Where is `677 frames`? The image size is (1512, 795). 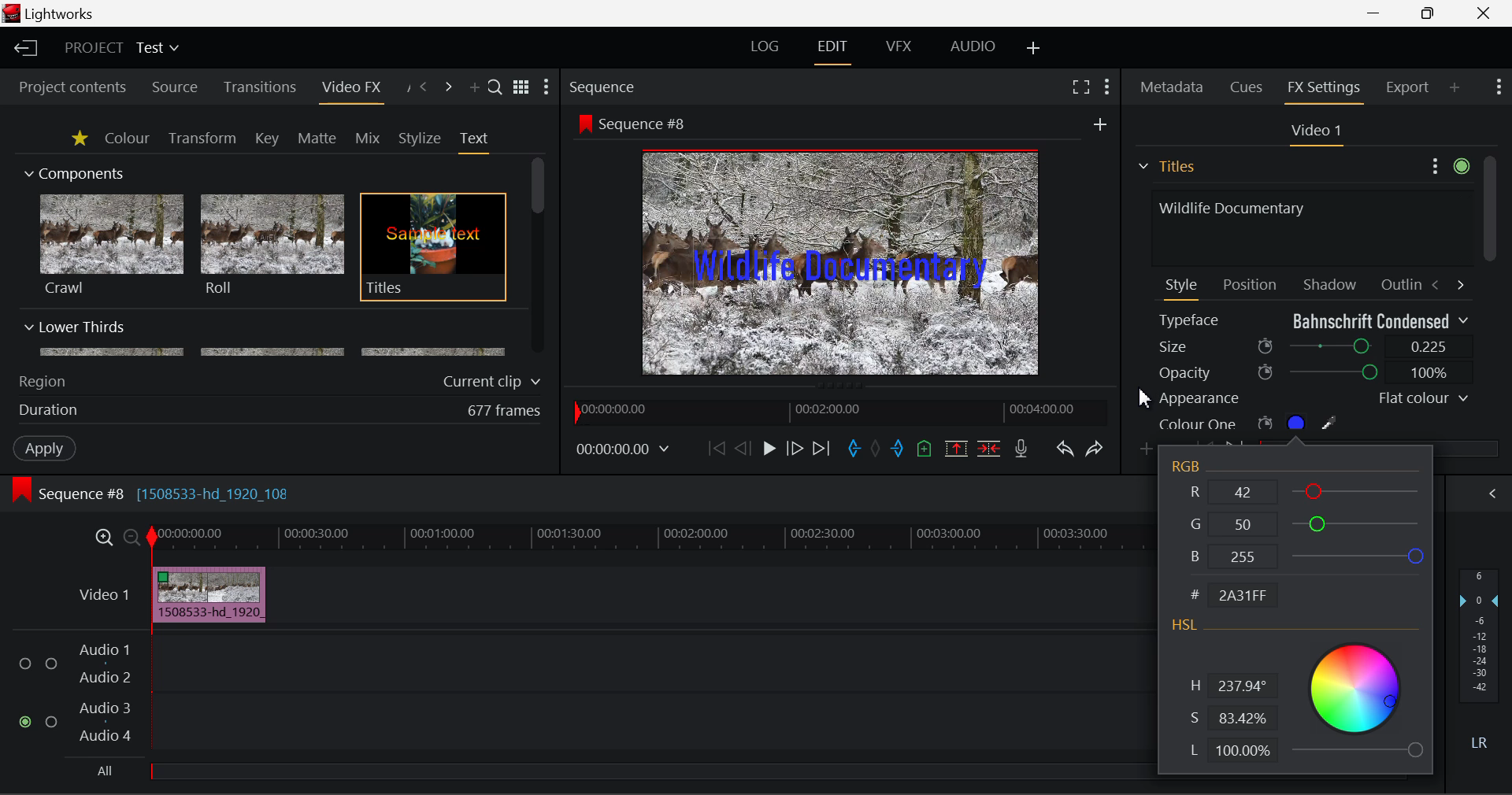
677 frames is located at coordinates (505, 412).